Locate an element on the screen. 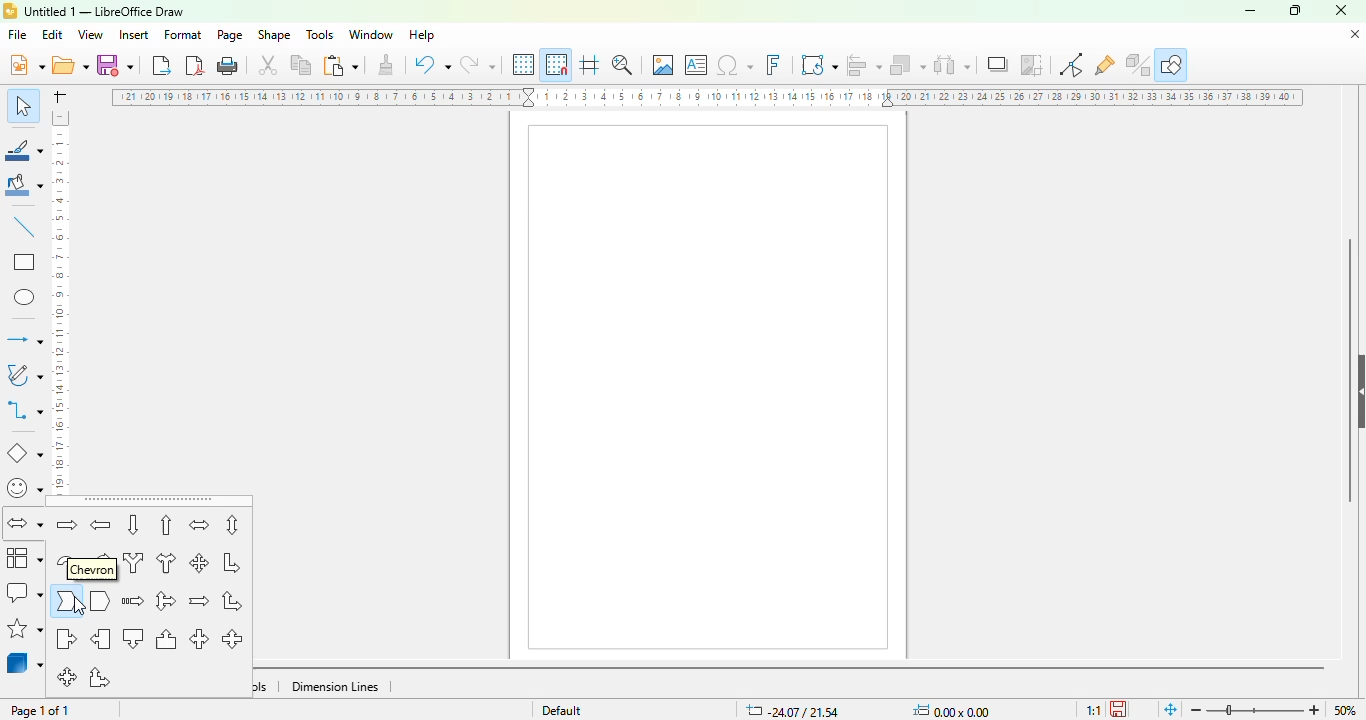  export is located at coordinates (163, 65).